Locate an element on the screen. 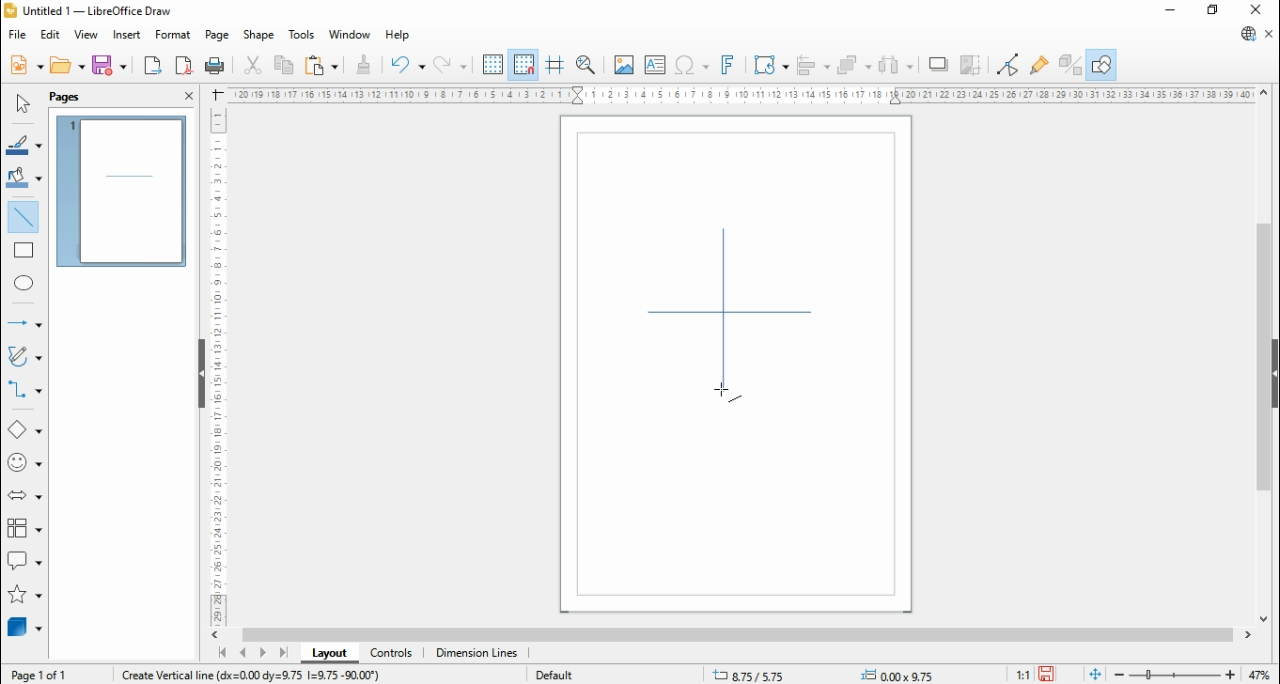  close document is located at coordinates (1270, 34).